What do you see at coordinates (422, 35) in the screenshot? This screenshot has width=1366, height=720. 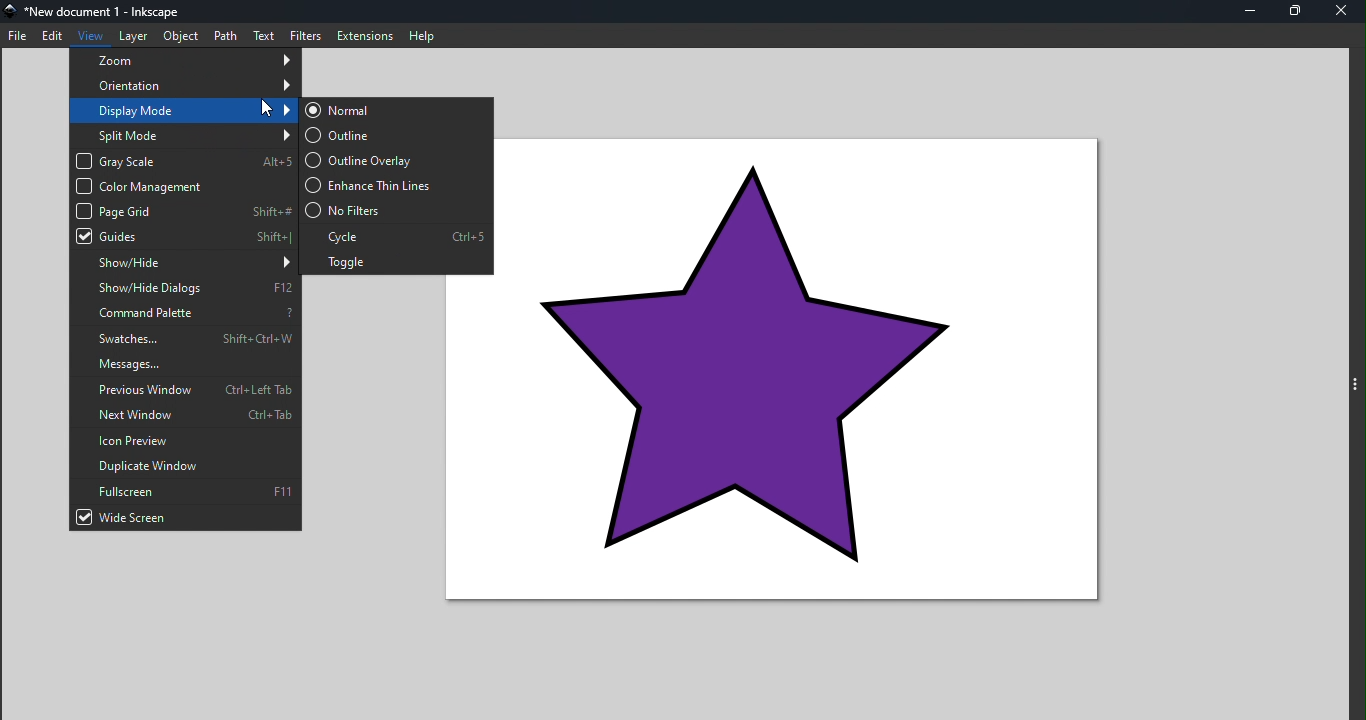 I see `Help` at bounding box center [422, 35].